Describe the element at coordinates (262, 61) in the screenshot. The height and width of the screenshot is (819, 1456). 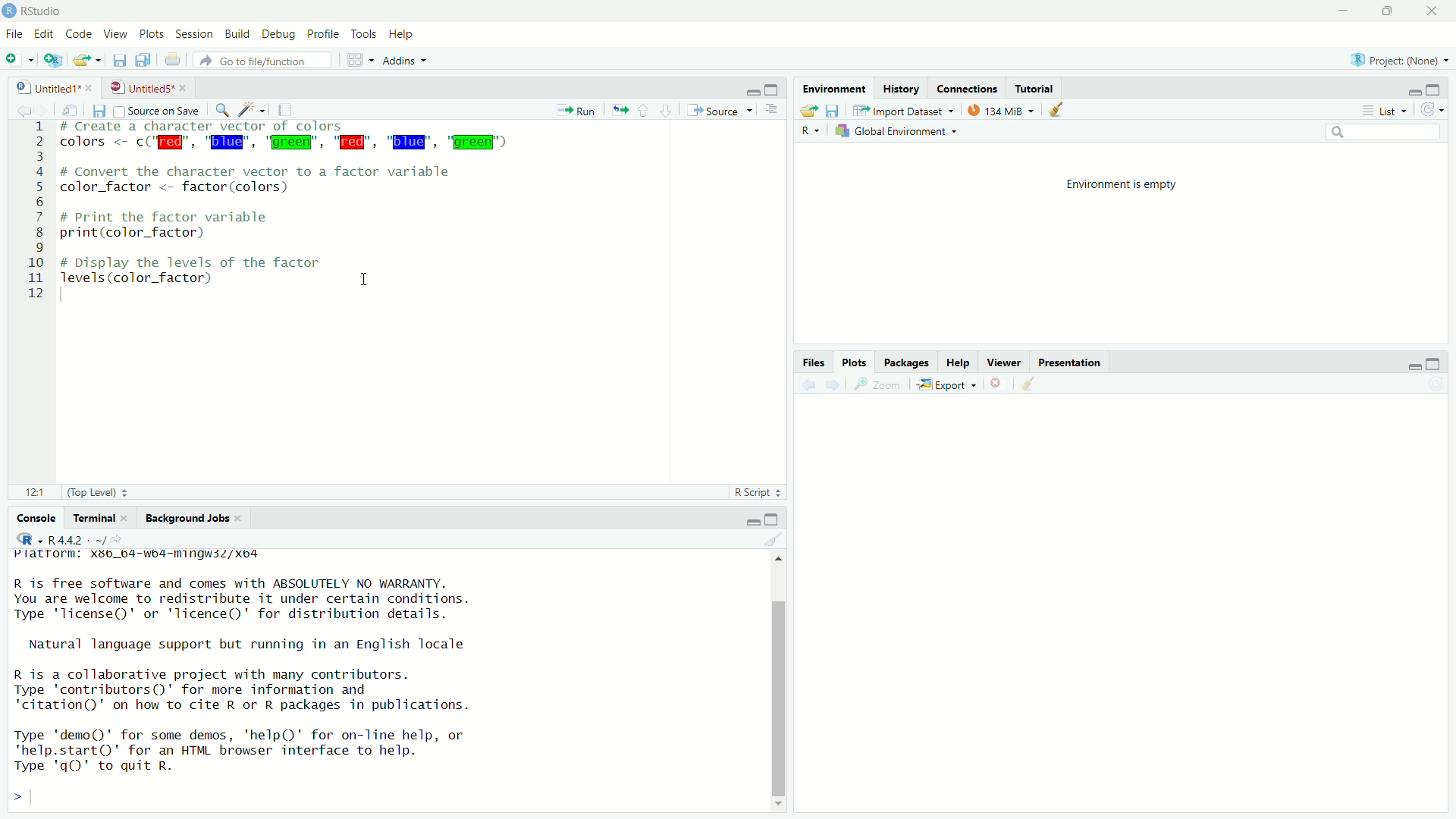
I see `go to file/function` at that location.